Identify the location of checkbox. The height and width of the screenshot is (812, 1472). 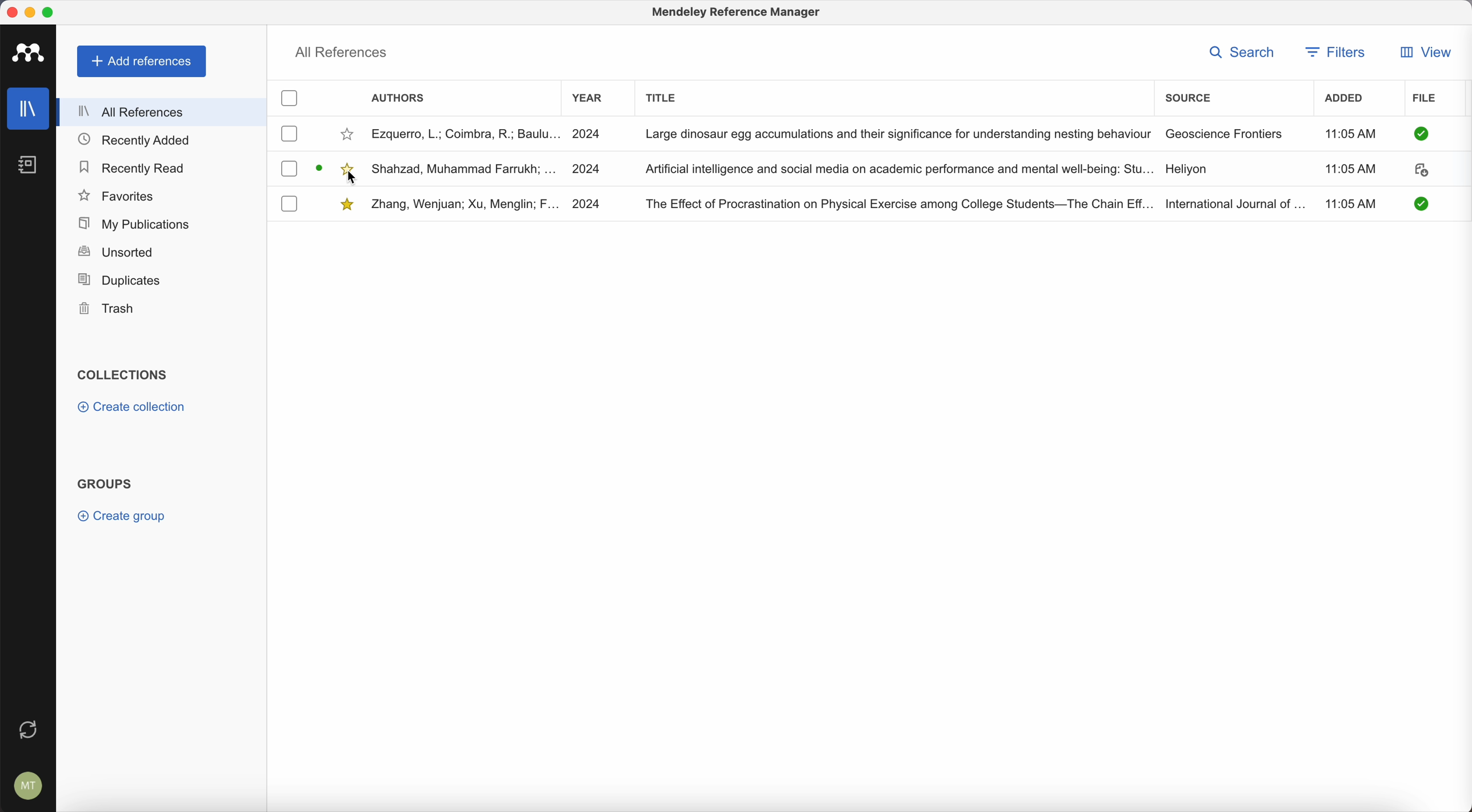
(289, 203).